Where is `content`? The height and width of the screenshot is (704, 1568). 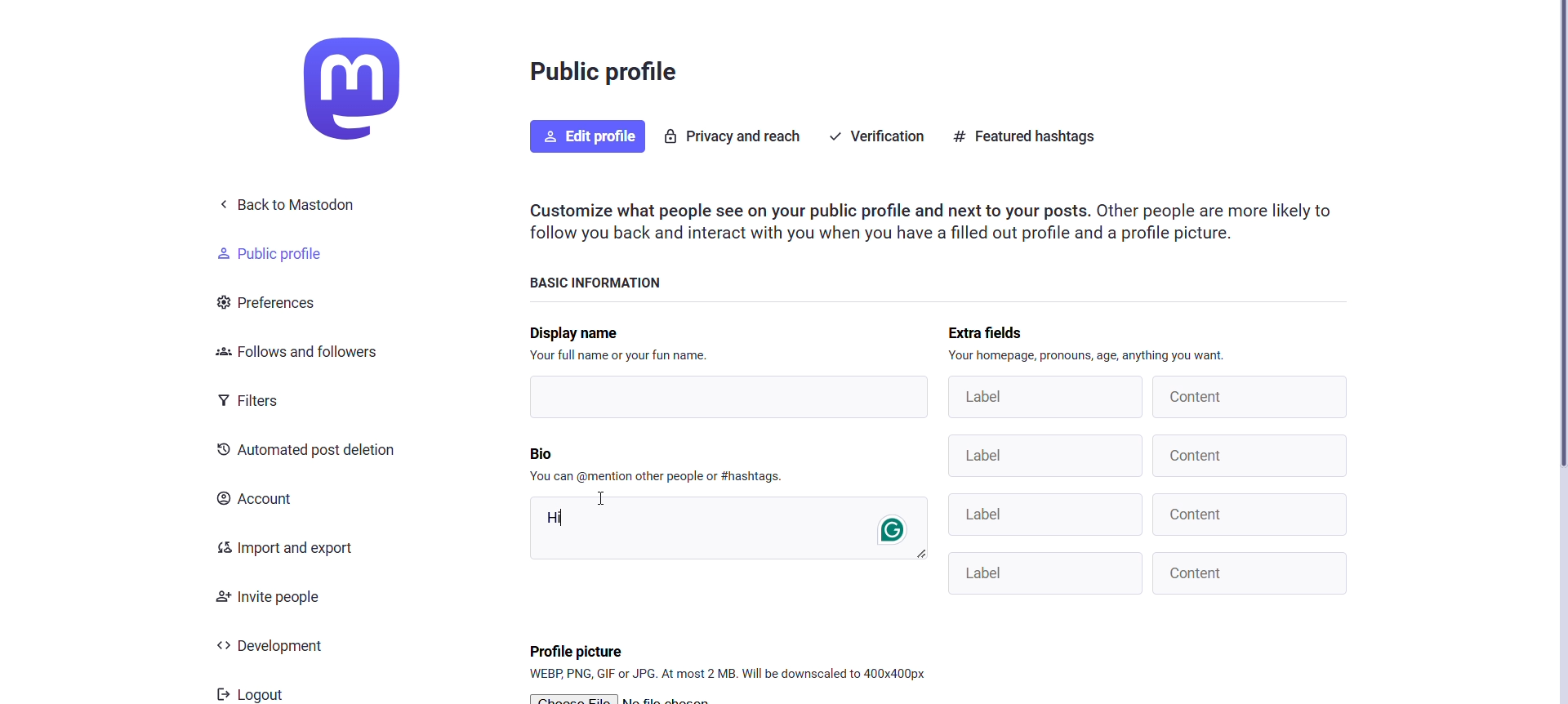
content is located at coordinates (1252, 395).